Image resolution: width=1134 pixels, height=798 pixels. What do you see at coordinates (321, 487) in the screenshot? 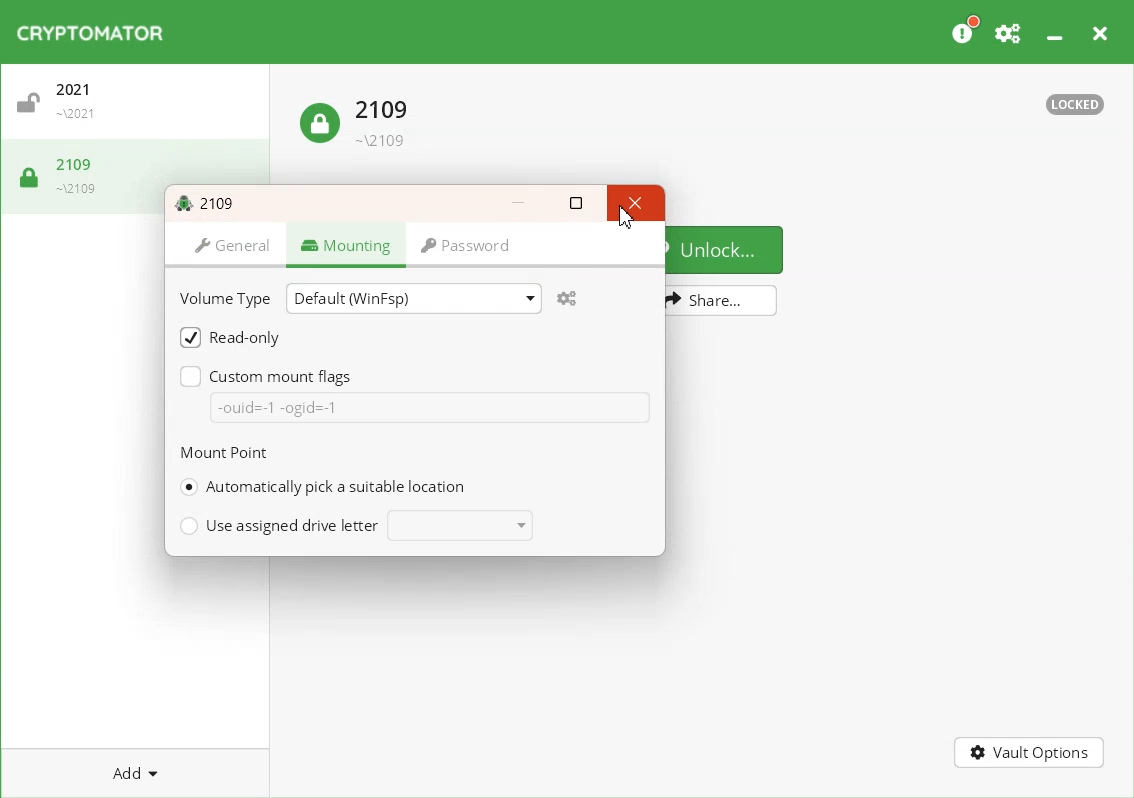
I see `Automatically pick a suitable location l` at bounding box center [321, 487].